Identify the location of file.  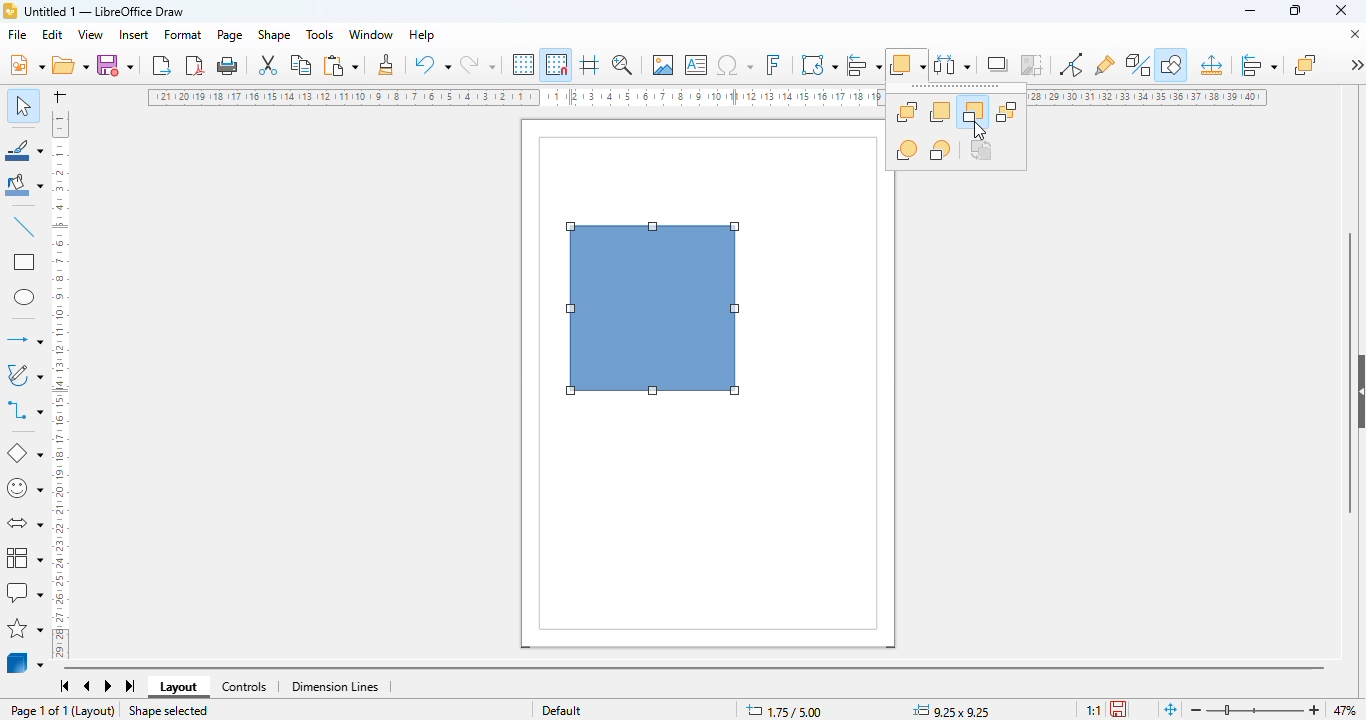
(17, 34).